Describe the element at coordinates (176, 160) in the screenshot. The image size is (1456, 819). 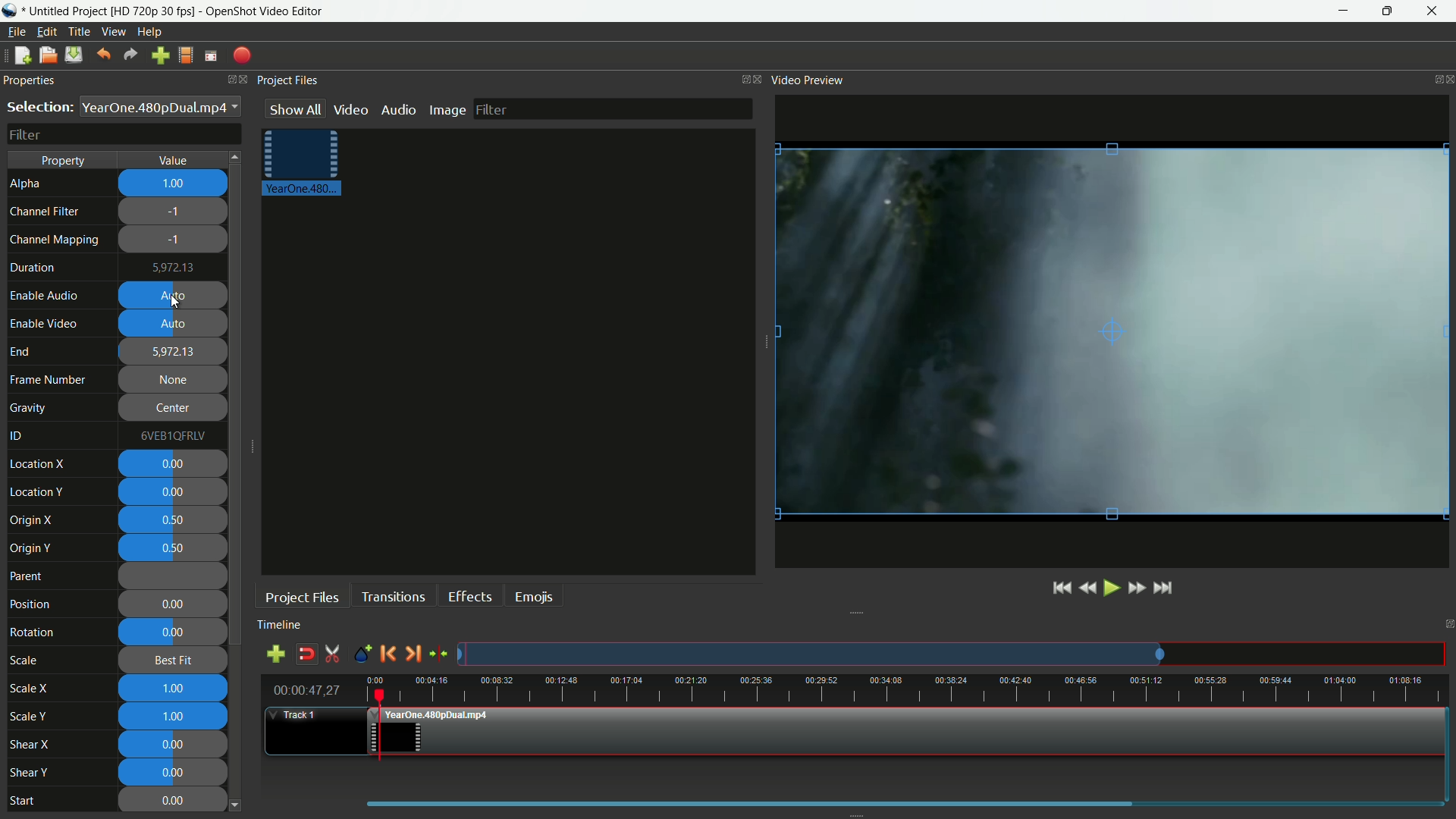
I see `value` at that location.